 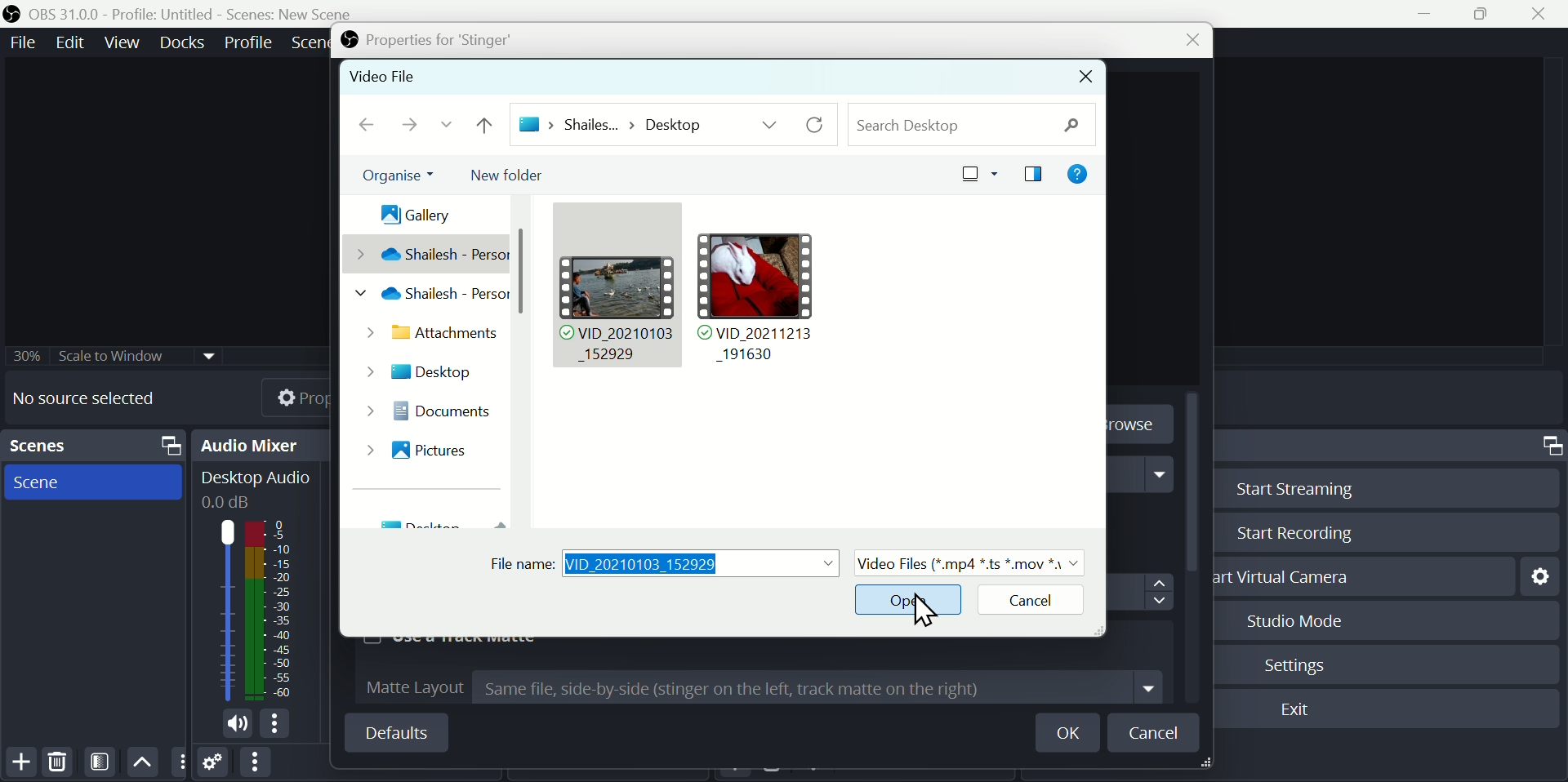 I want to click on Default, so click(x=395, y=732).